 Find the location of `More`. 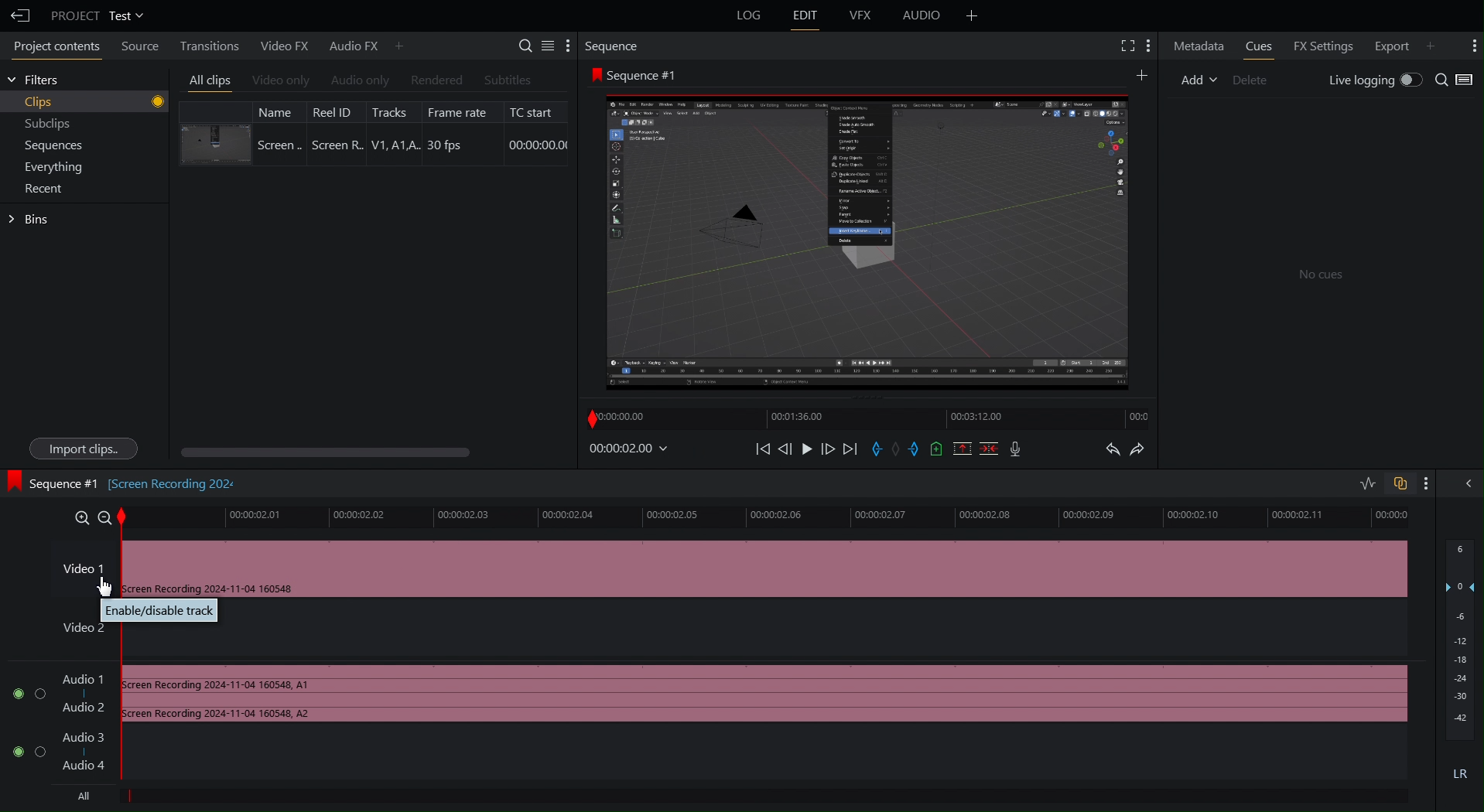

More is located at coordinates (1139, 75).